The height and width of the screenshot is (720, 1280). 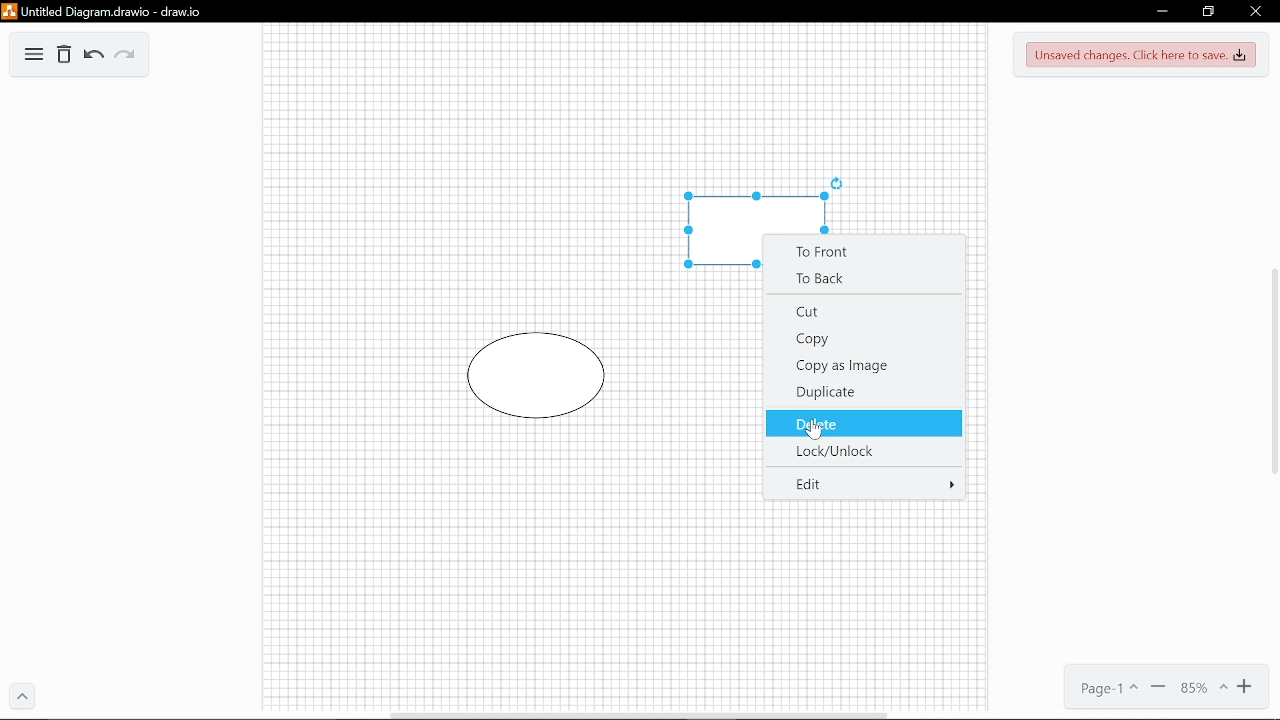 What do you see at coordinates (92, 56) in the screenshot?
I see `Undo` at bounding box center [92, 56].